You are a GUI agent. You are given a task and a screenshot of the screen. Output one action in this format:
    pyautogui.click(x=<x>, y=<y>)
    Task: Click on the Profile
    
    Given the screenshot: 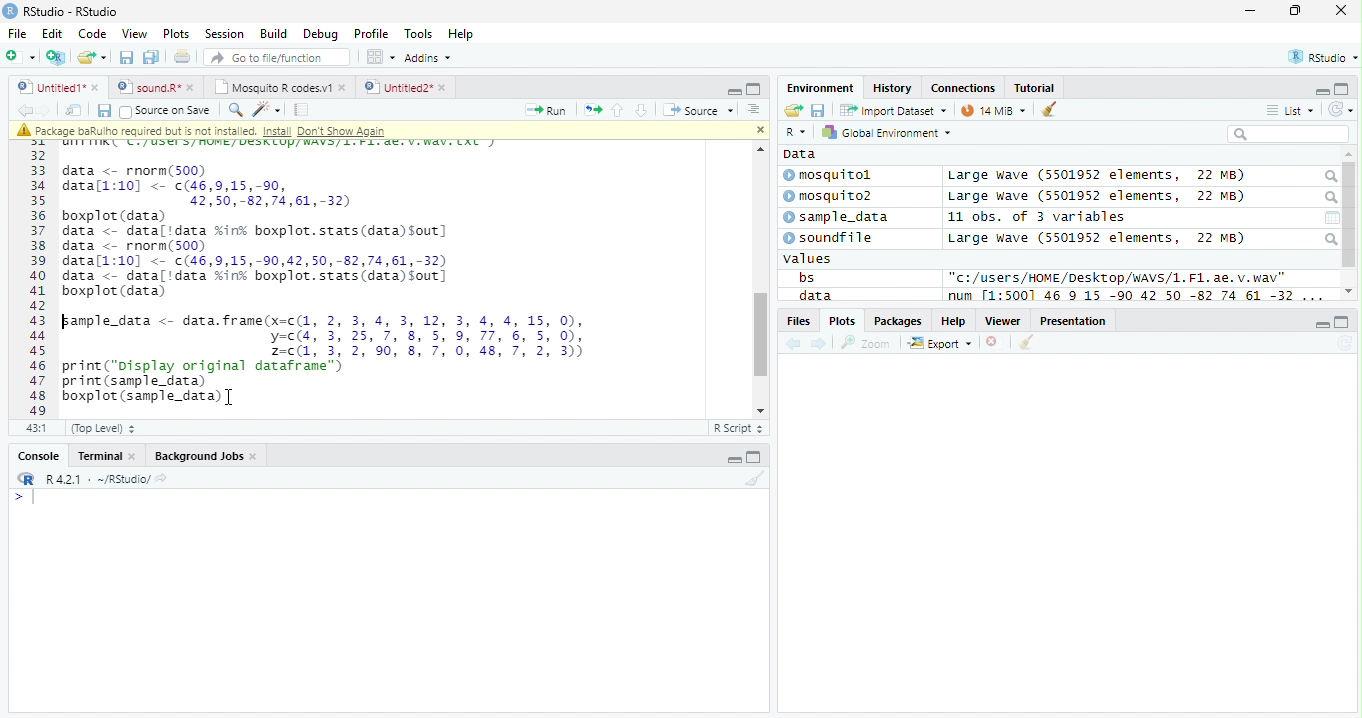 What is the action you would take?
    pyautogui.click(x=371, y=33)
    